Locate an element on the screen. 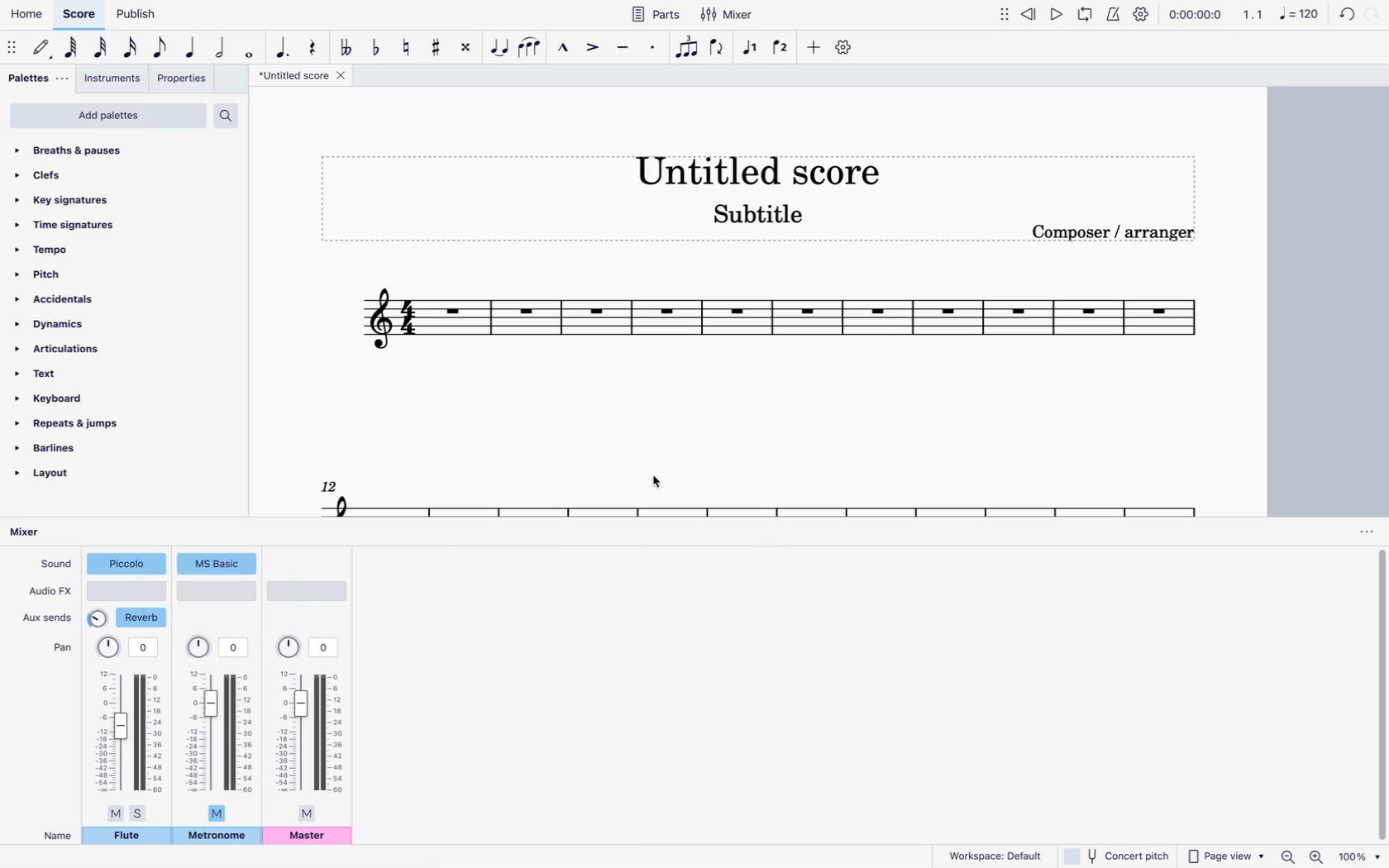 The image size is (1389, 868). time signatures is located at coordinates (82, 227).